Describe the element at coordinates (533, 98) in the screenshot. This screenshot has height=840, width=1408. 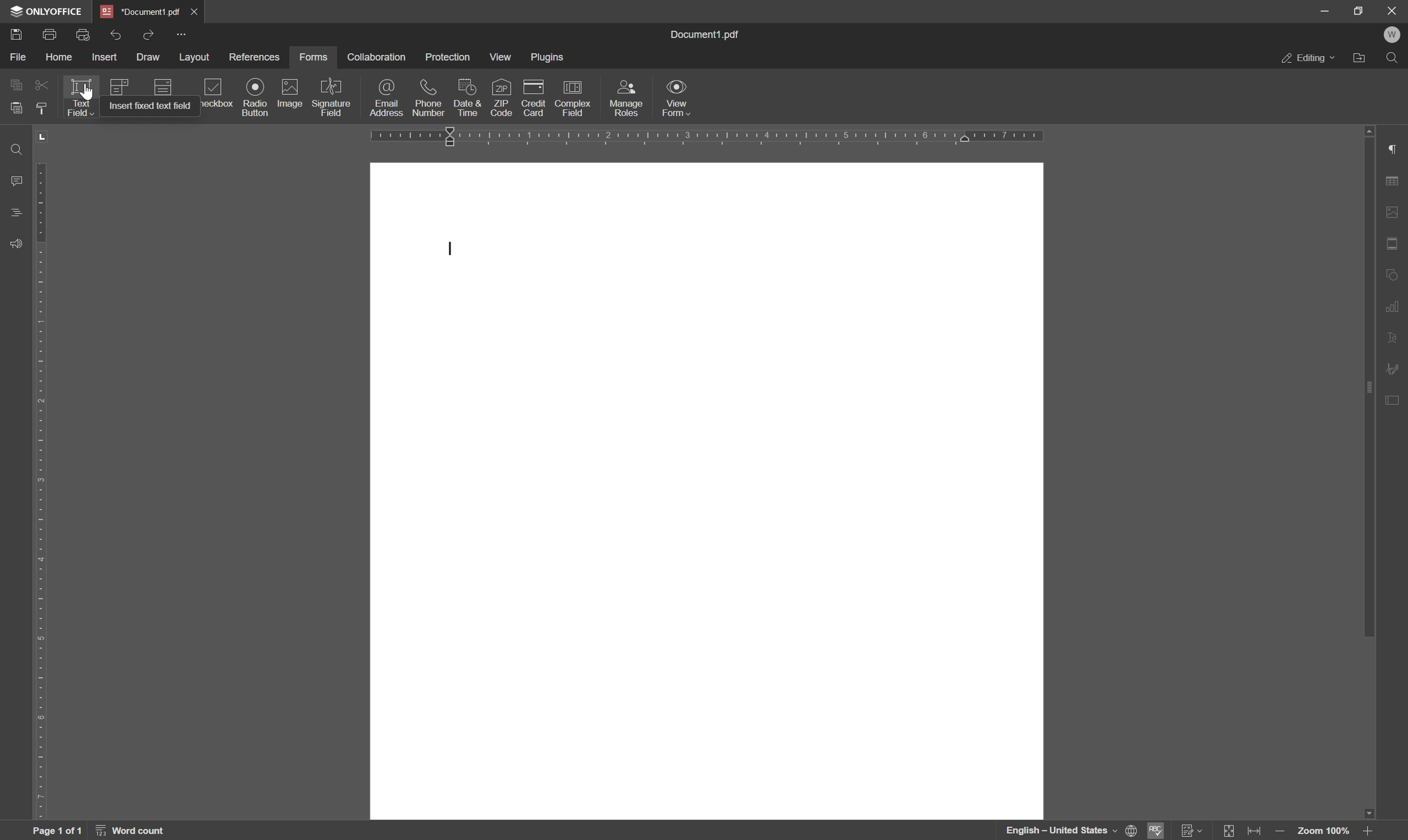
I see `credit card` at that location.